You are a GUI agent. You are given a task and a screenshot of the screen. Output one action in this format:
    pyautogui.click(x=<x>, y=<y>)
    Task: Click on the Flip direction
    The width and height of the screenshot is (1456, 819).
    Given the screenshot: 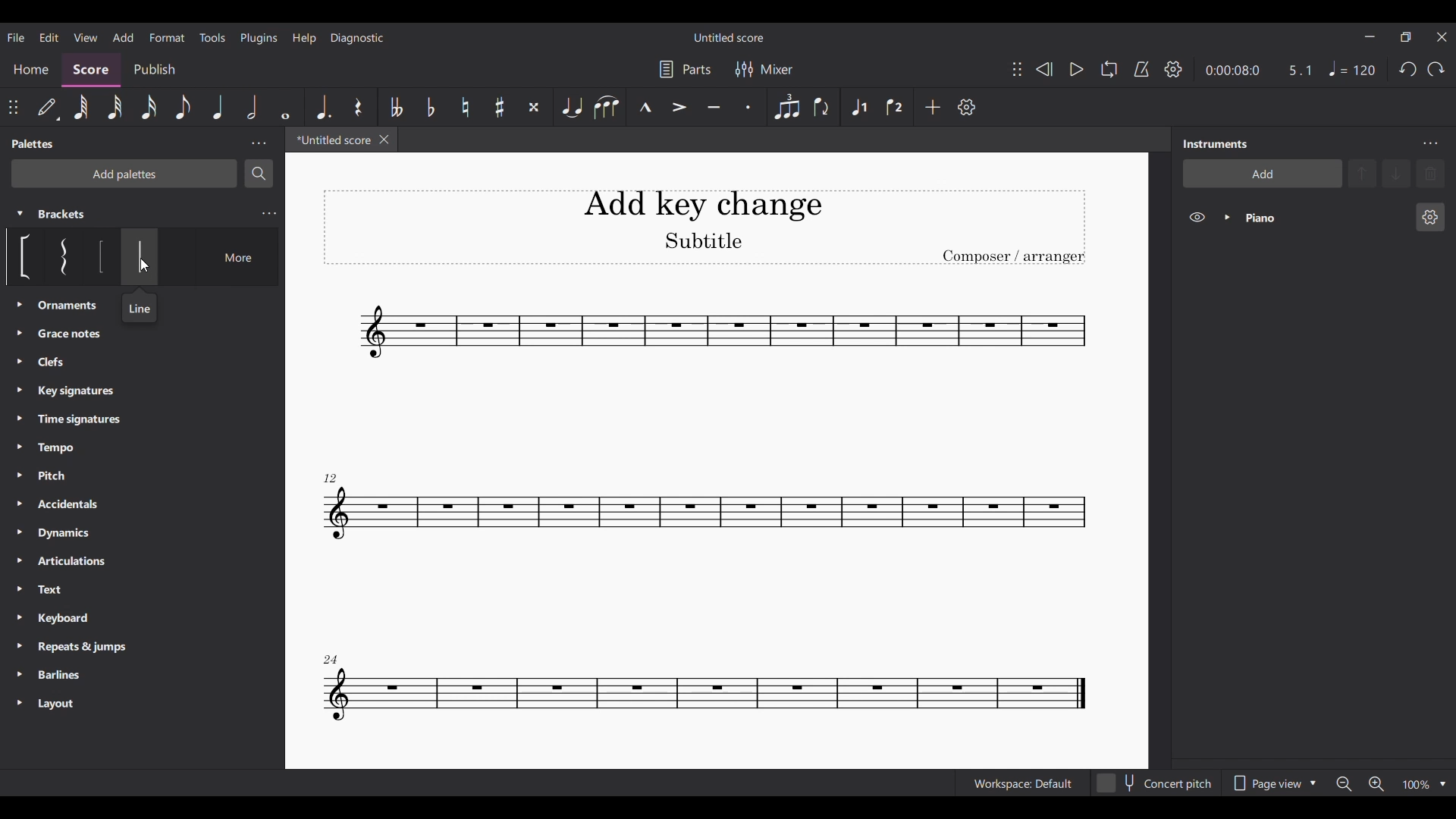 What is the action you would take?
    pyautogui.click(x=821, y=107)
    